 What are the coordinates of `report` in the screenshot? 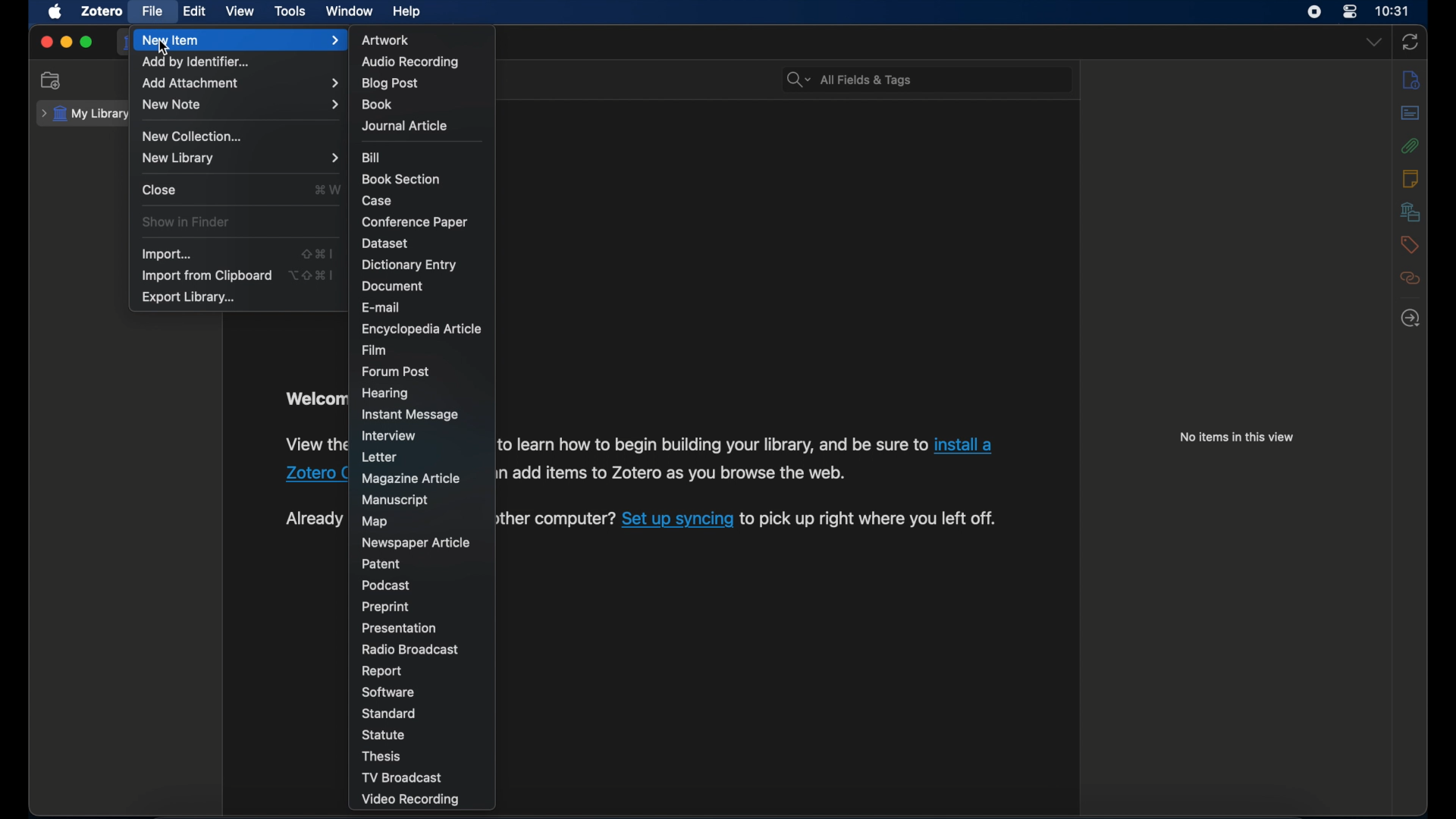 It's located at (381, 670).